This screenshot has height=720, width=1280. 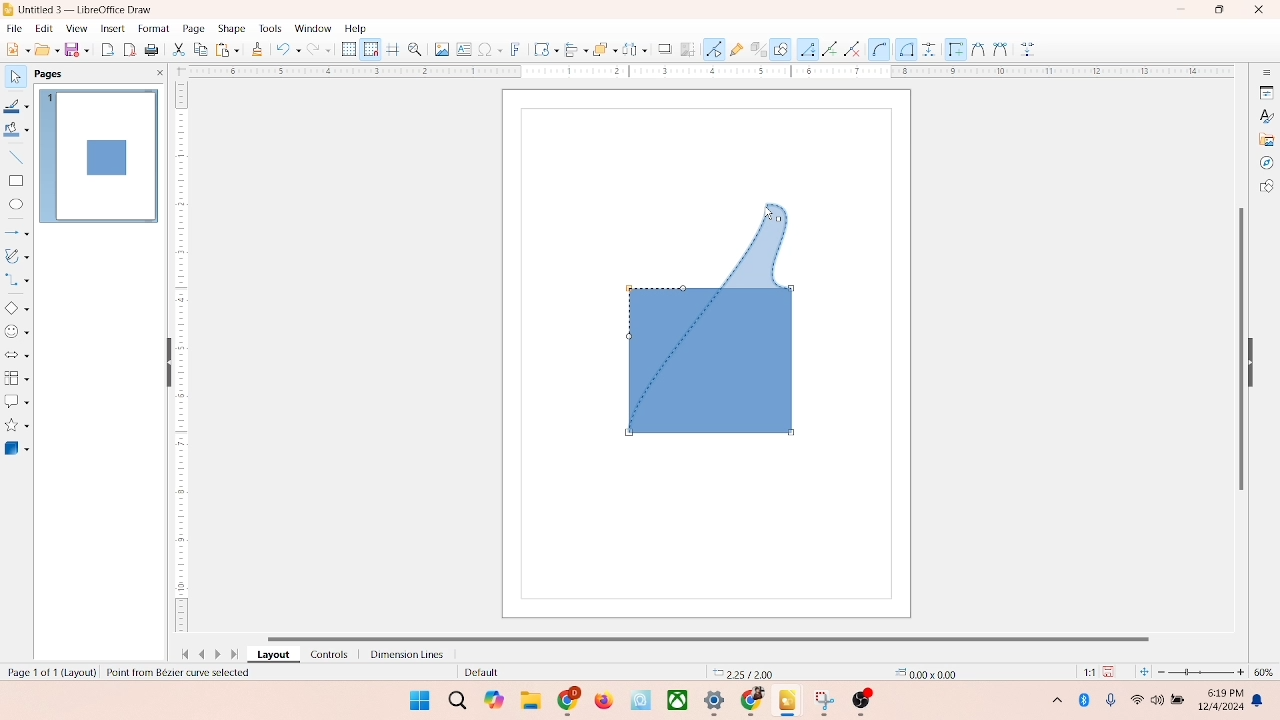 I want to click on gallery, so click(x=1267, y=138).